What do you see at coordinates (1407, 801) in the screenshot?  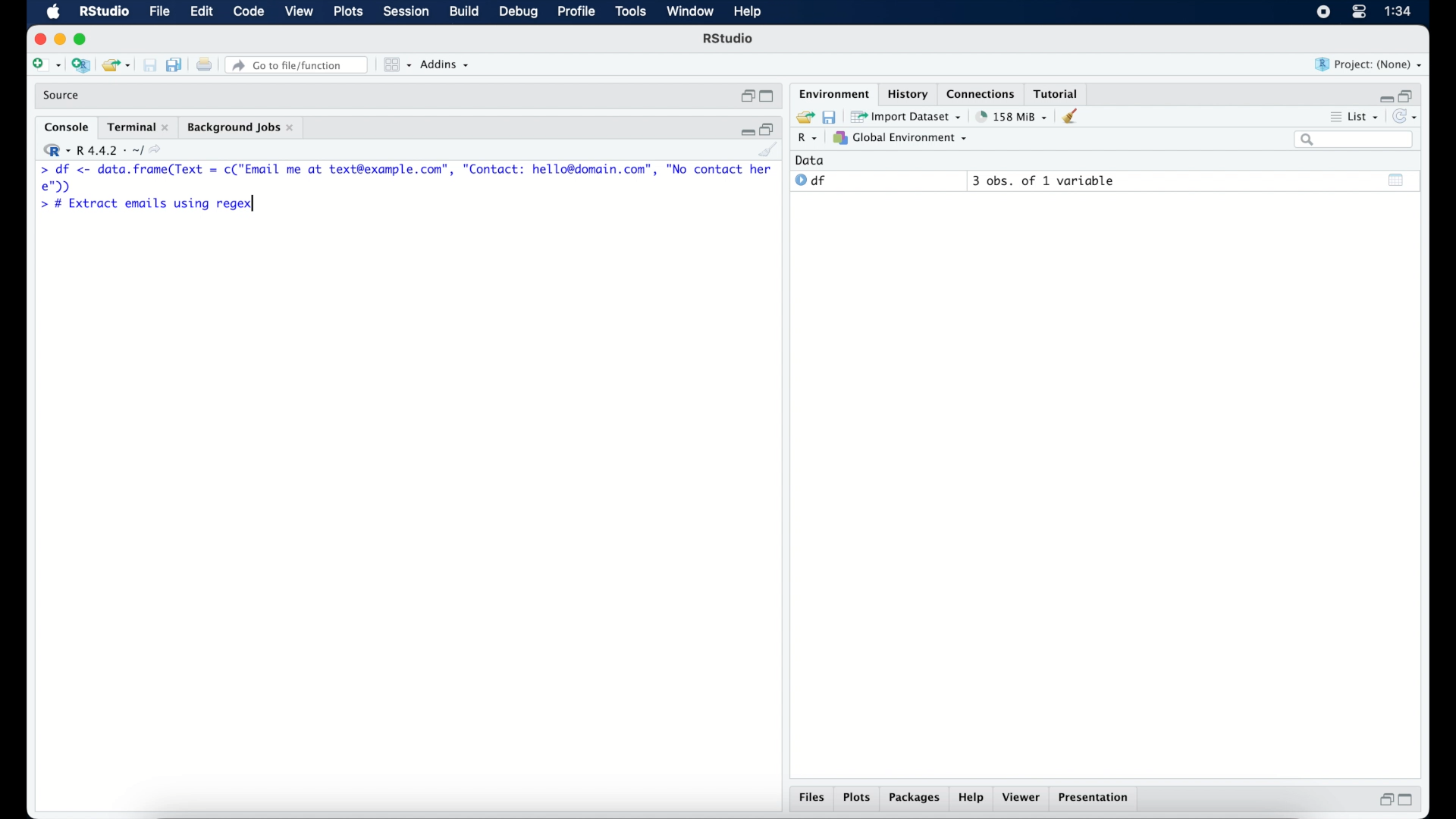 I see `maximize` at bounding box center [1407, 801].